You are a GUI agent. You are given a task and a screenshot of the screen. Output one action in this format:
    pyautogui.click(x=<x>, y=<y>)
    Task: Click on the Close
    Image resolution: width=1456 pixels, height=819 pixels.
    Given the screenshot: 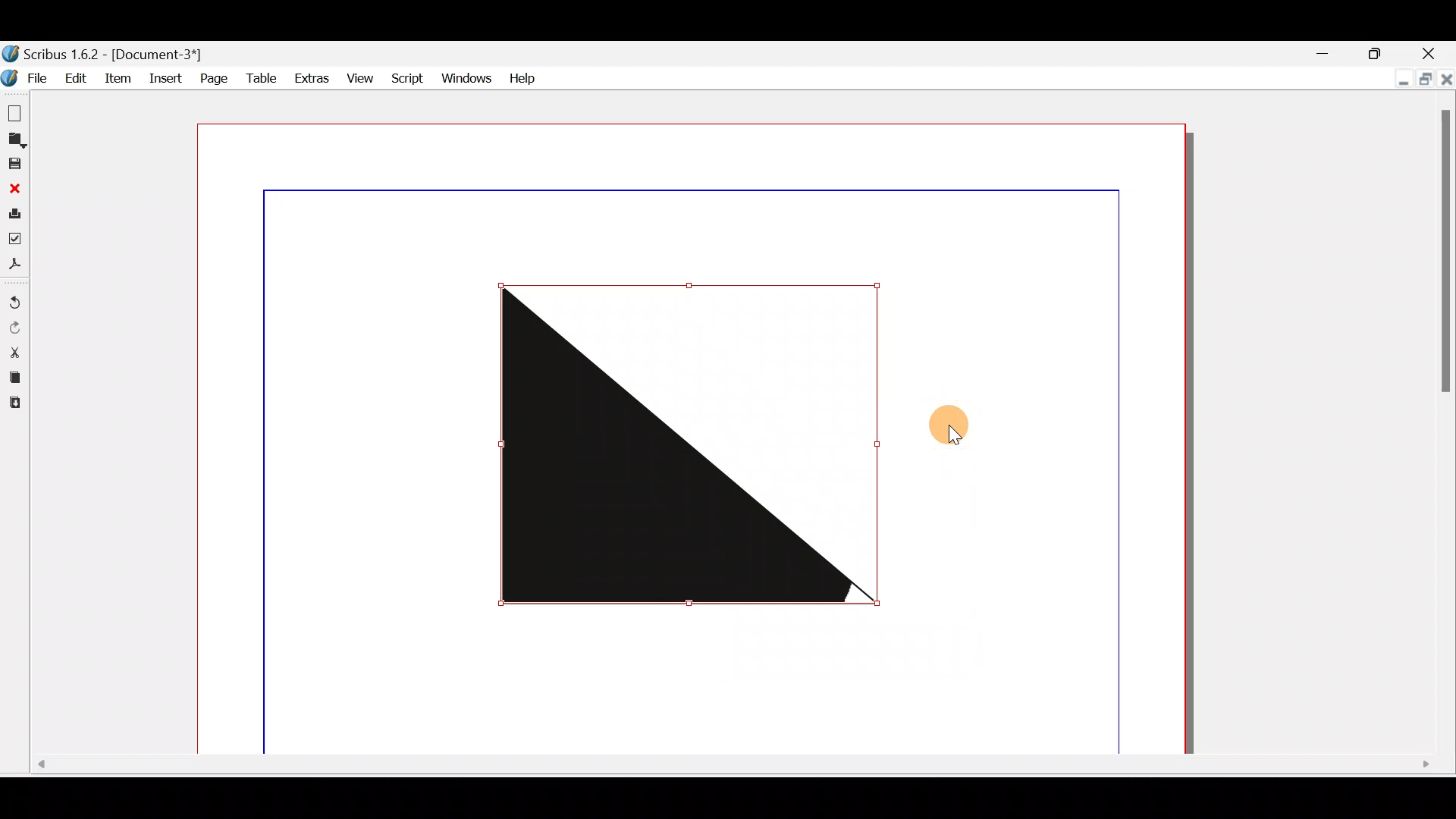 What is the action you would take?
    pyautogui.click(x=13, y=187)
    